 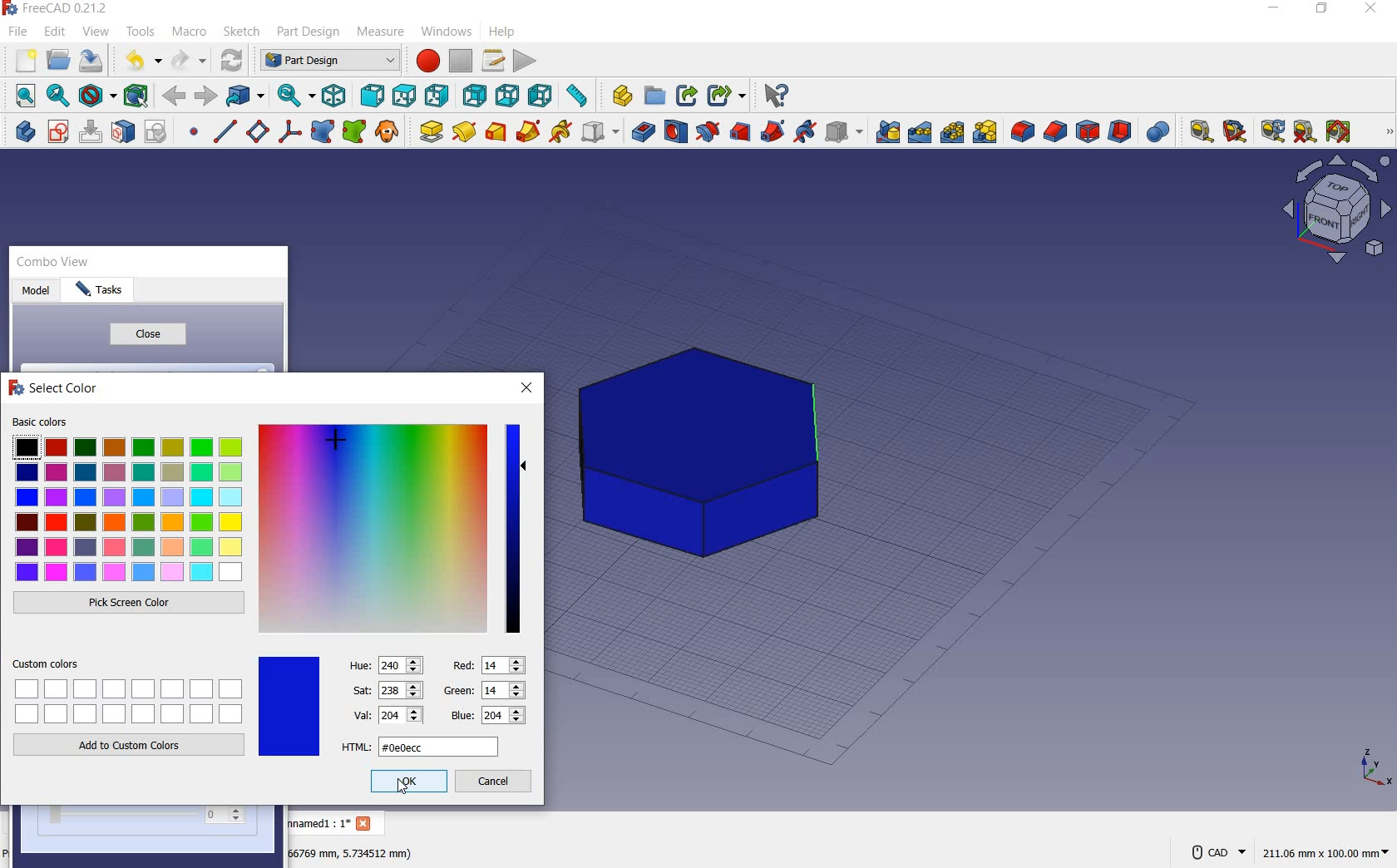 What do you see at coordinates (496, 131) in the screenshot?
I see `additive loft` at bounding box center [496, 131].